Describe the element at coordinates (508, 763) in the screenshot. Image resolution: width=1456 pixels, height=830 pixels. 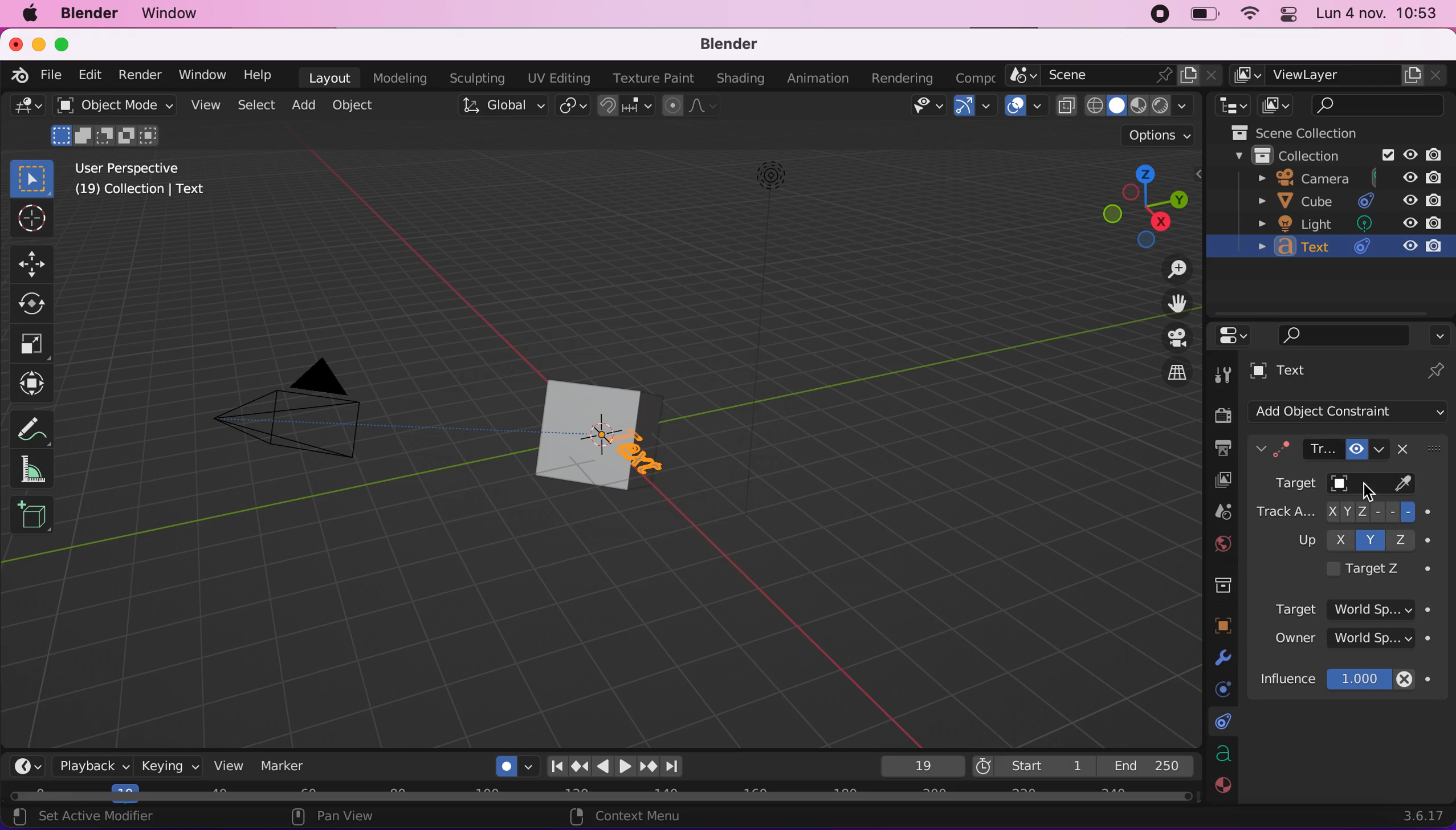
I see `auto keying` at that location.